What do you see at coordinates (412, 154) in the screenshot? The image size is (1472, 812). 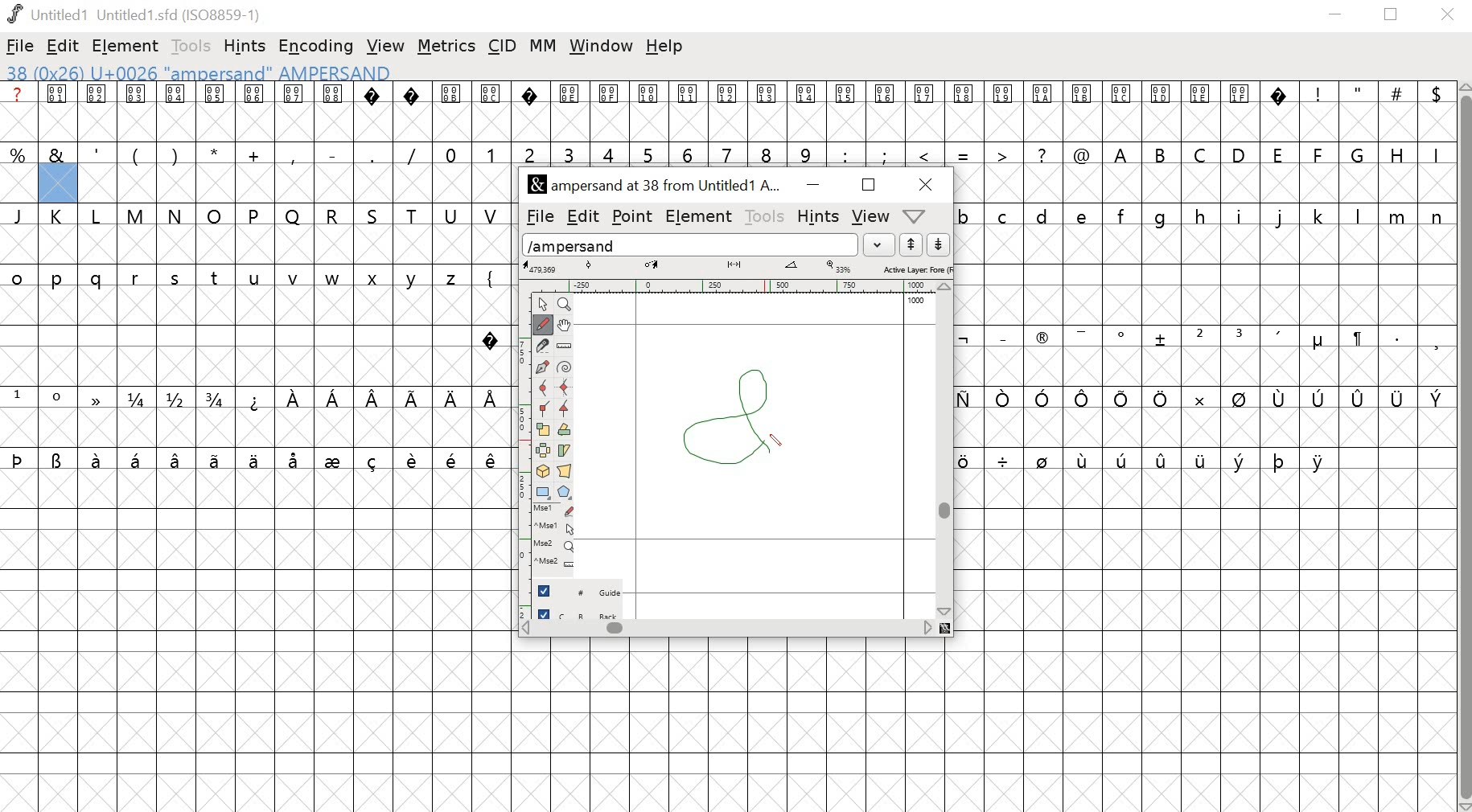 I see `/` at bounding box center [412, 154].